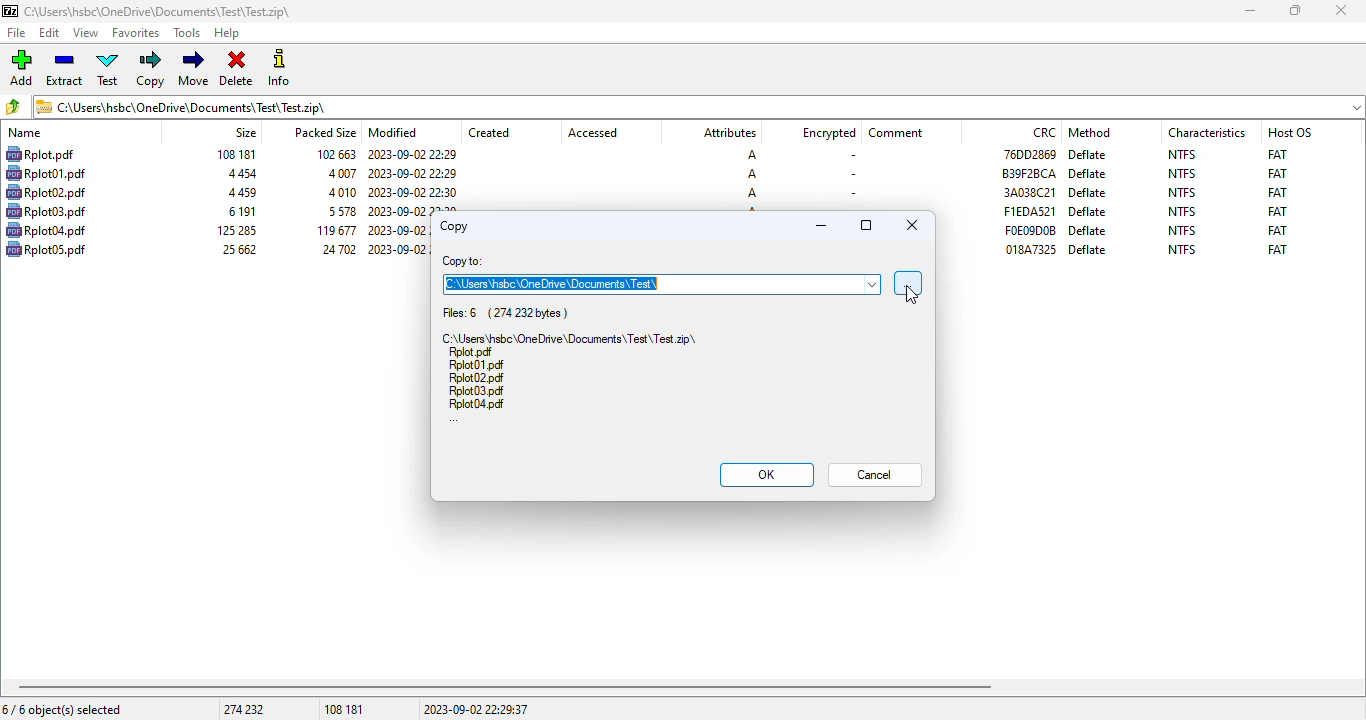 This screenshot has height=720, width=1366. I want to click on browse for folder, so click(908, 282).